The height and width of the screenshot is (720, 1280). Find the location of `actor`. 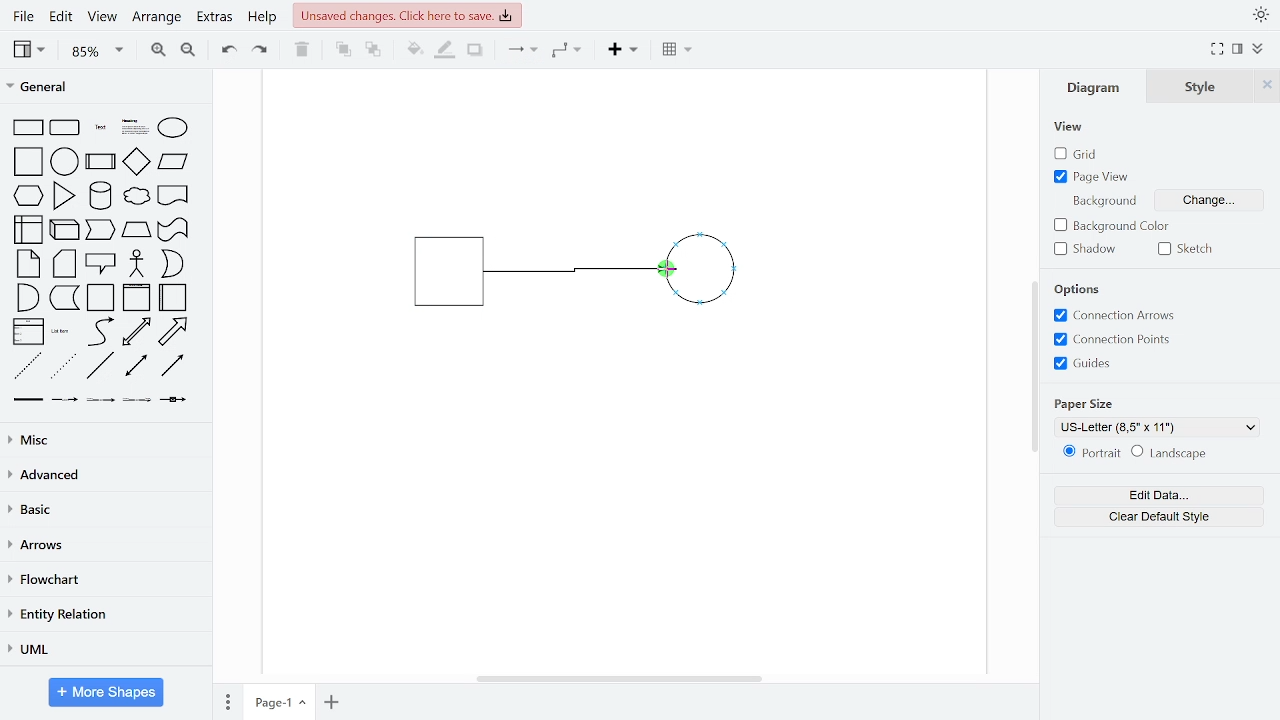

actor is located at coordinates (138, 265).